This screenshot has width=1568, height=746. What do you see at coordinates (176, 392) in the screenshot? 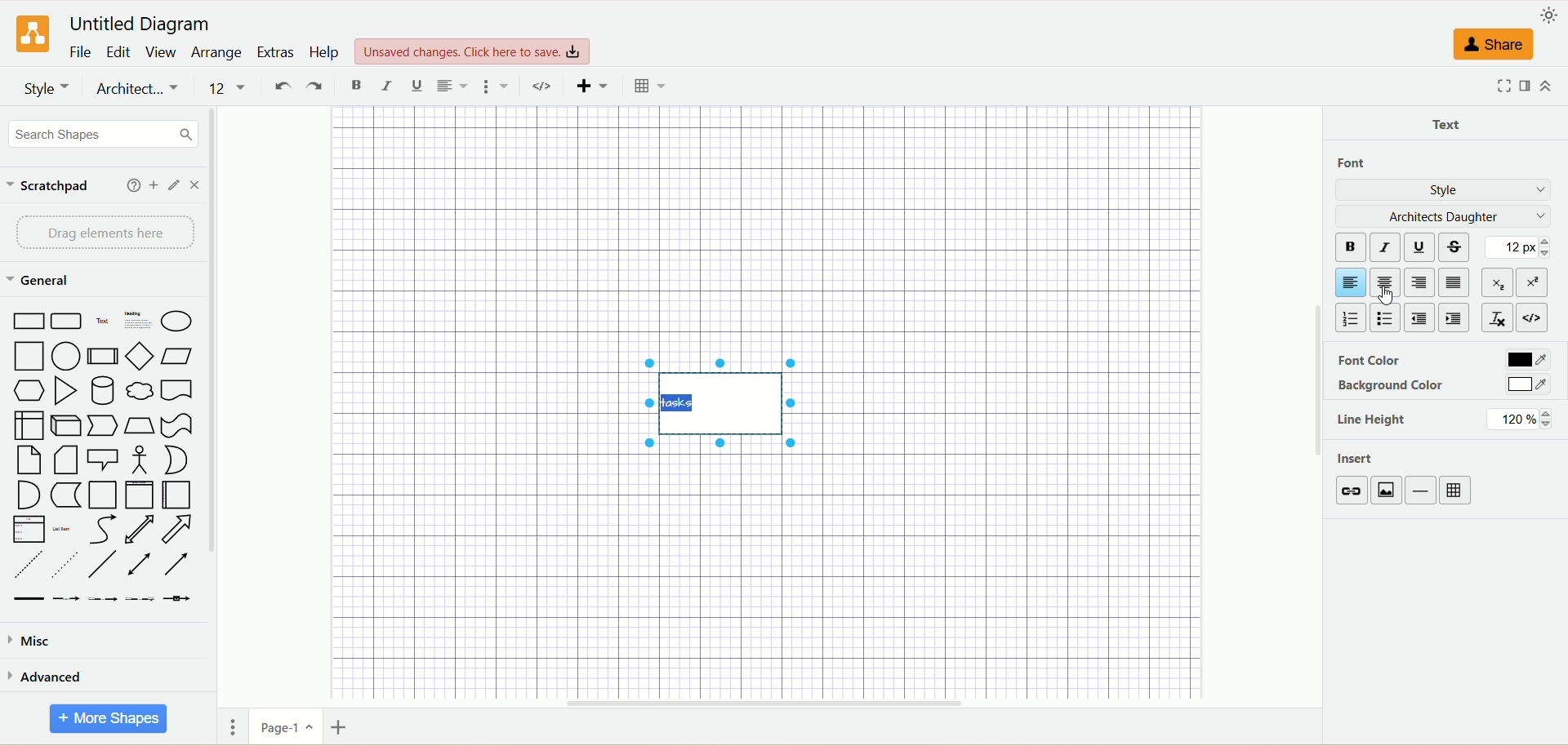
I see `Bookmark` at bounding box center [176, 392].